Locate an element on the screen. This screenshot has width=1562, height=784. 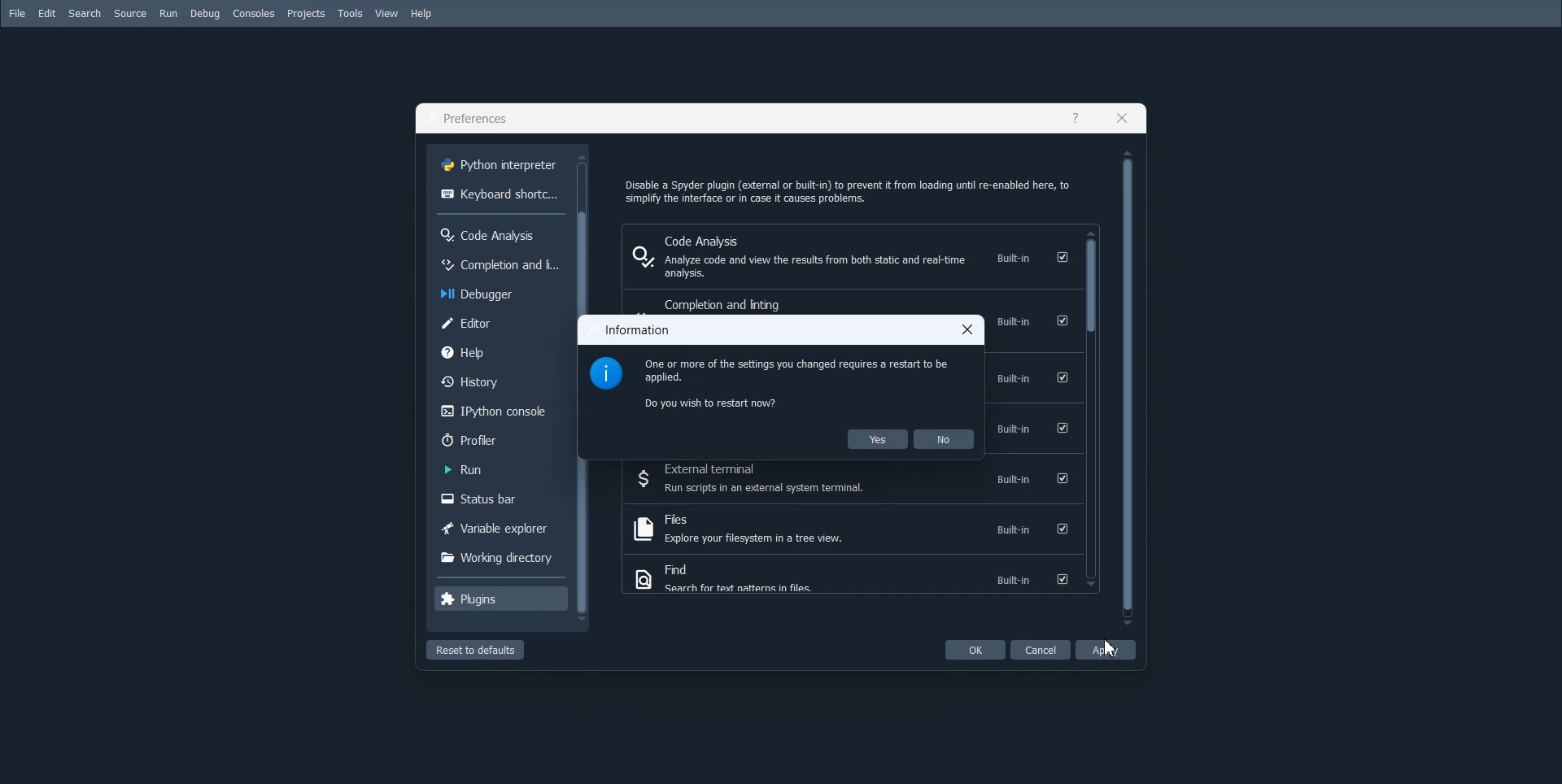
Completion and license is located at coordinates (497, 263).